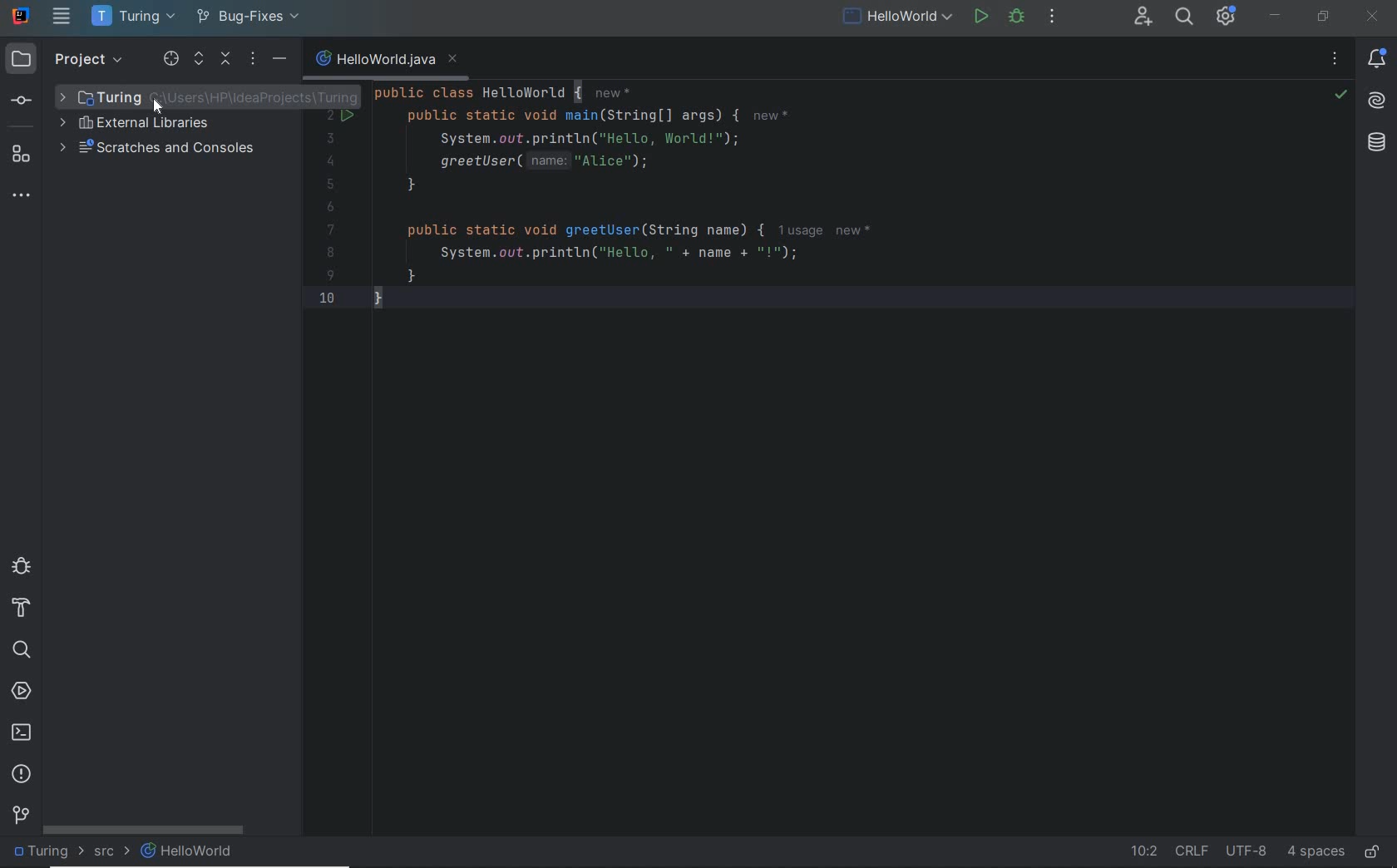 This screenshot has height=868, width=1397. Describe the element at coordinates (331, 229) in the screenshot. I see `7` at that location.